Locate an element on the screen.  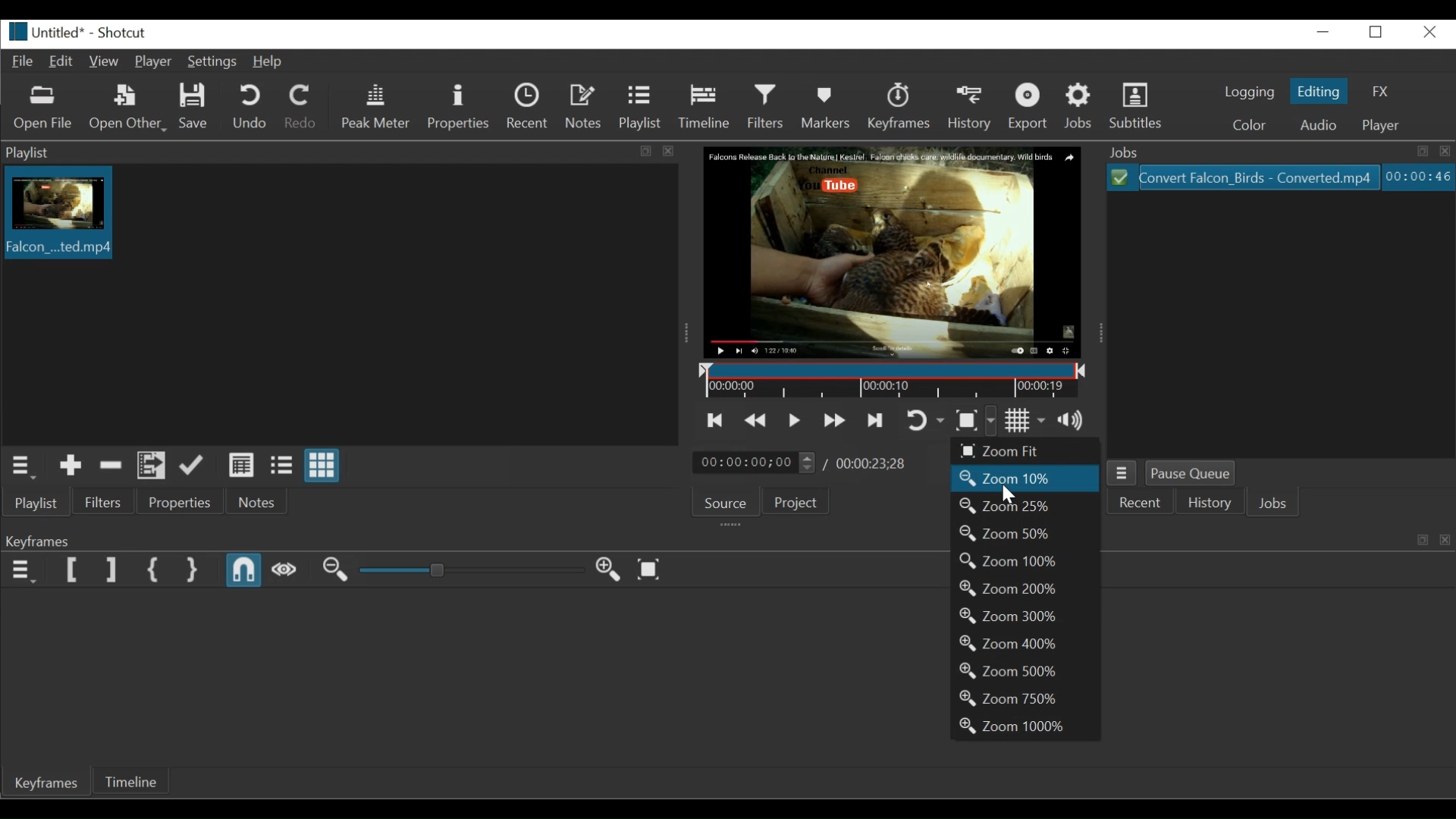
Audio is located at coordinates (1323, 124).